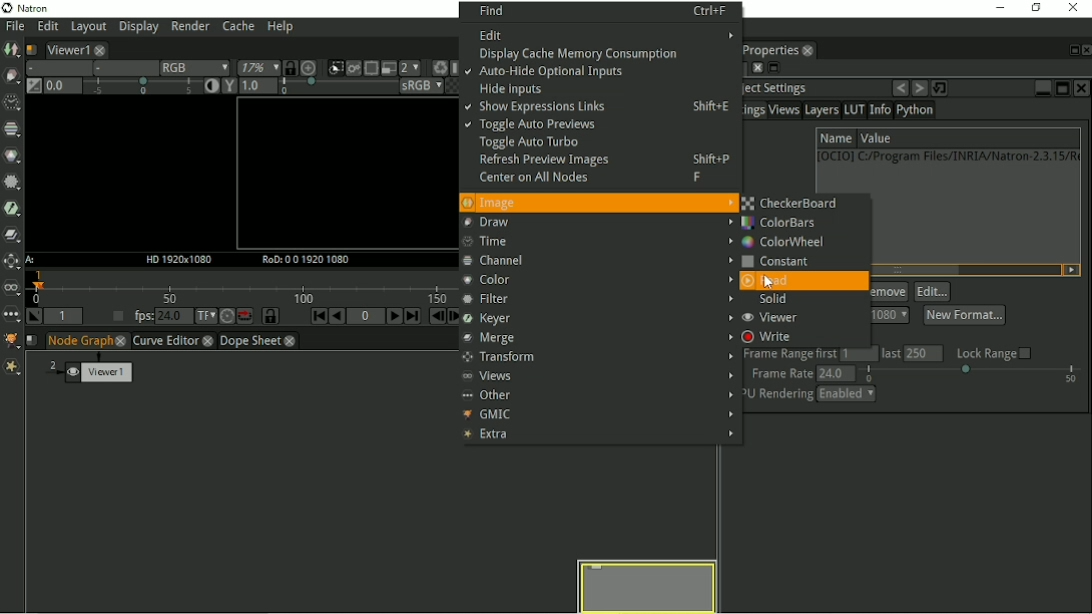 This screenshot has width=1092, height=614. Describe the element at coordinates (606, 162) in the screenshot. I see `Refresh preview images` at that location.